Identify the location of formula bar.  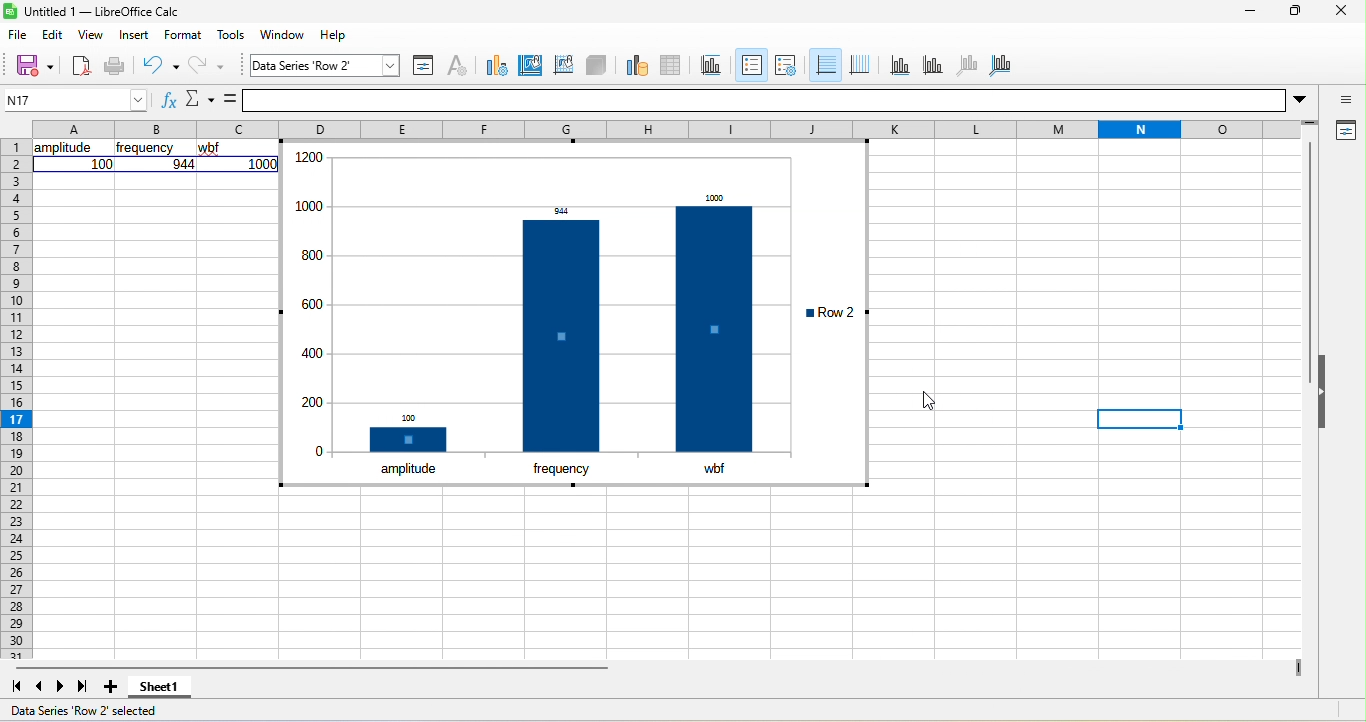
(777, 98).